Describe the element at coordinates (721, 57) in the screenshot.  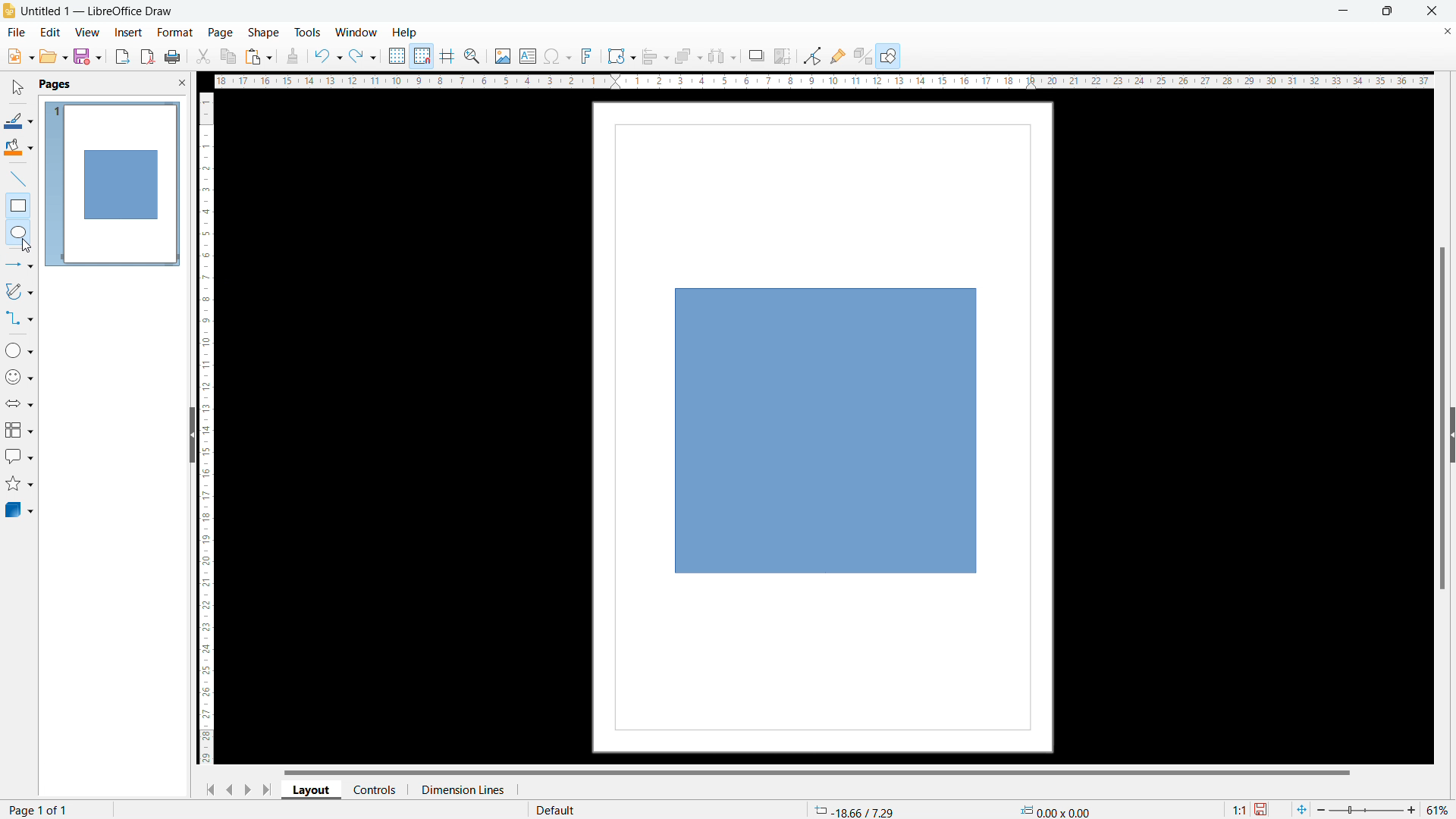
I see `select at least three objects to distributw` at that location.